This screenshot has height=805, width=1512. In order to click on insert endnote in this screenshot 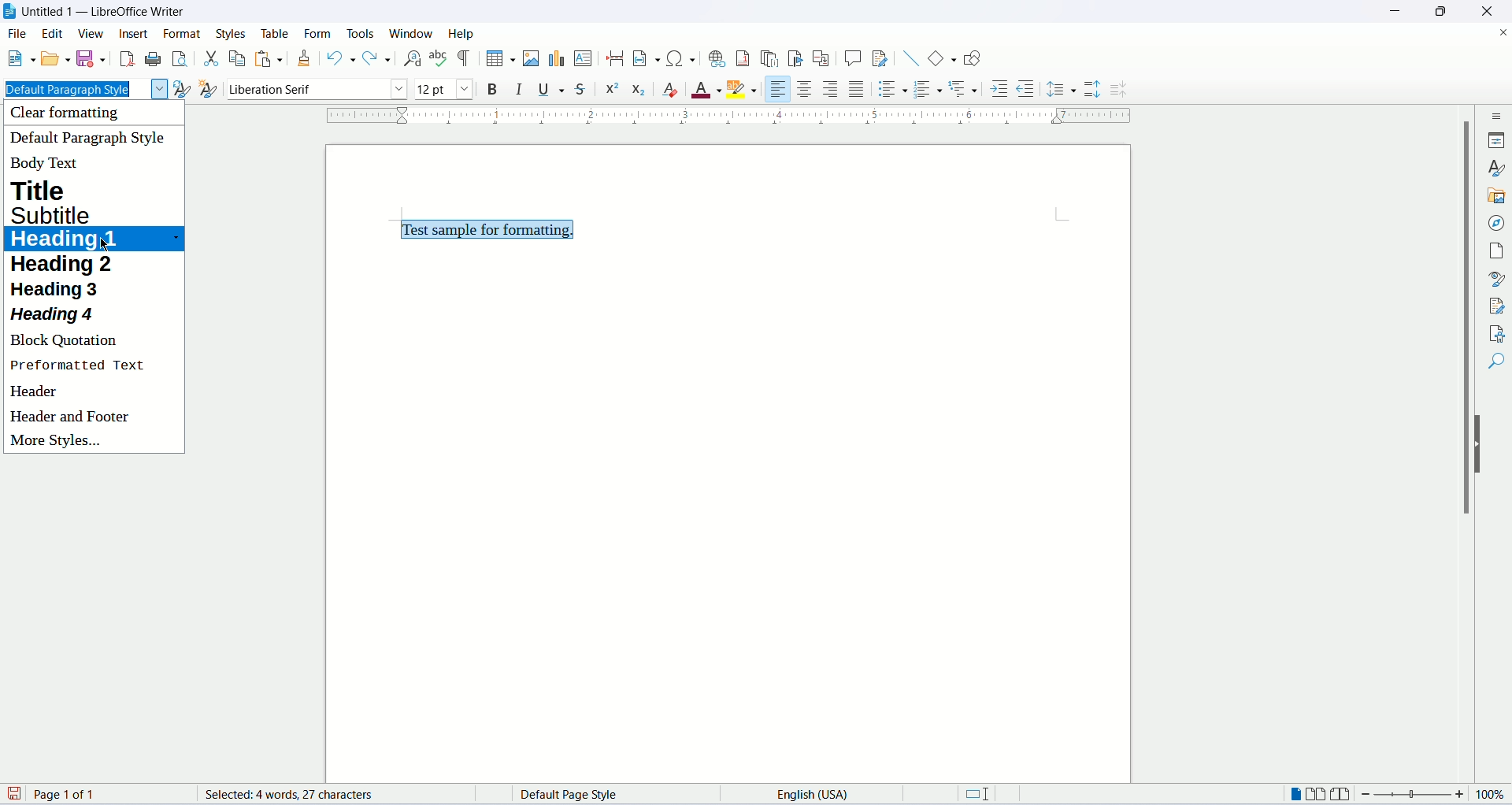, I will do `click(772, 57)`.